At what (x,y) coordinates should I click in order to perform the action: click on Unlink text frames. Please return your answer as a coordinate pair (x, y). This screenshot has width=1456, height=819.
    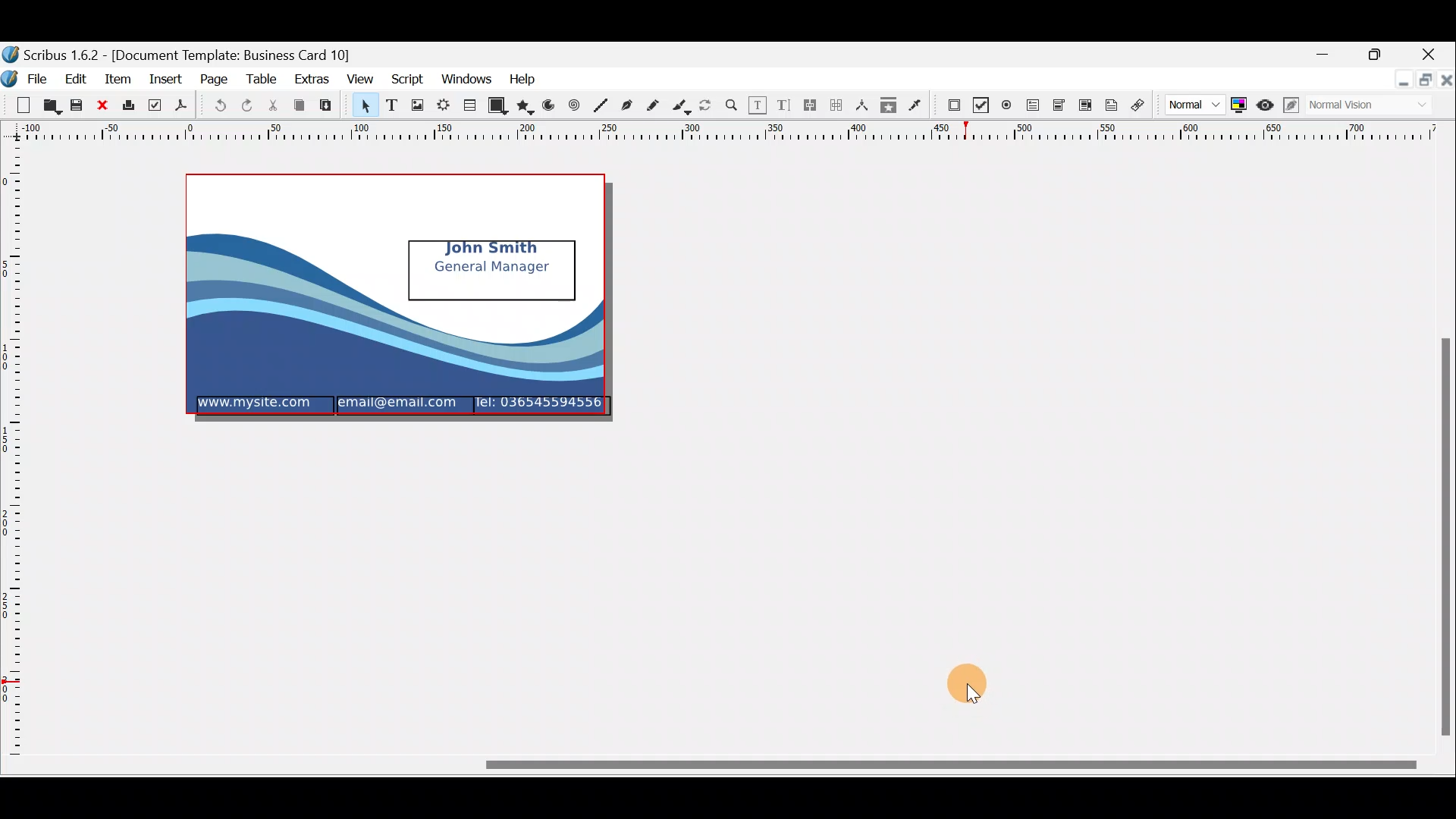
    Looking at the image, I should click on (836, 105).